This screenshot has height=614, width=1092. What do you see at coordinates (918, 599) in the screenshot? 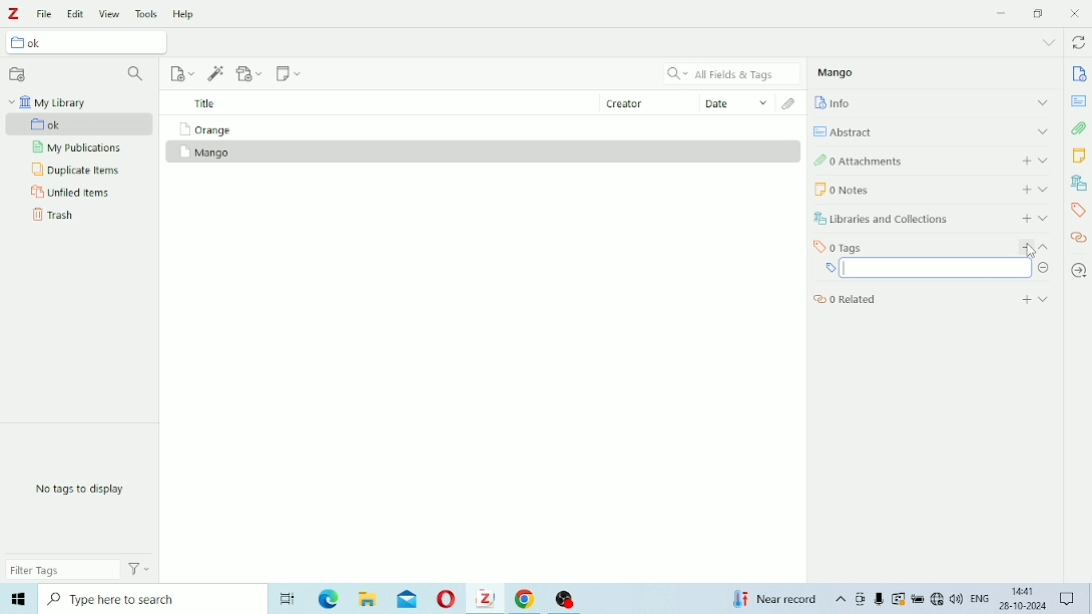
I see `Charging, plugged in` at bounding box center [918, 599].